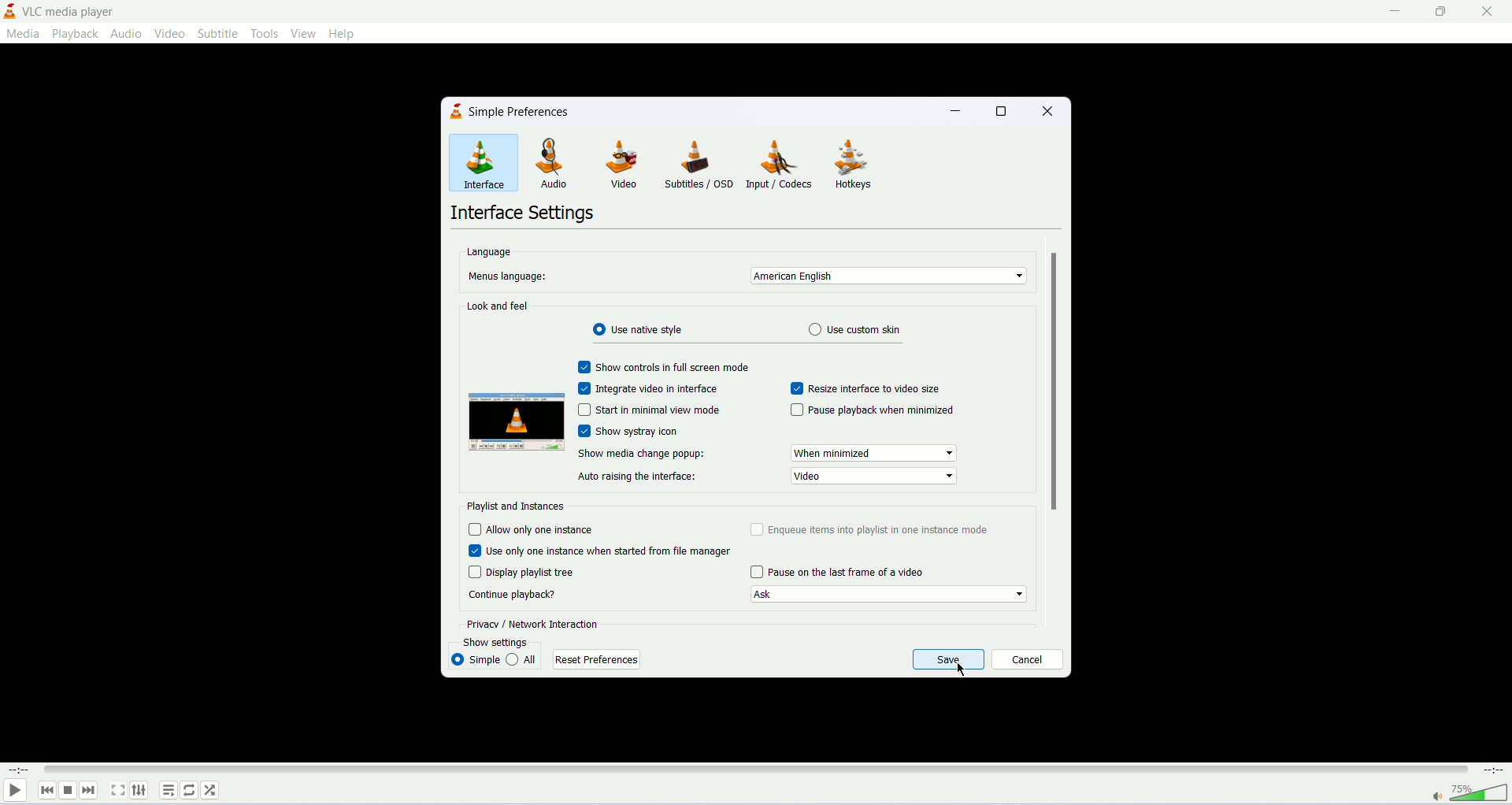 This screenshot has width=1512, height=805. What do you see at coordinates (1390, 11) in the screenshot?
I see `minimize` at bounding box center [1390, 11].